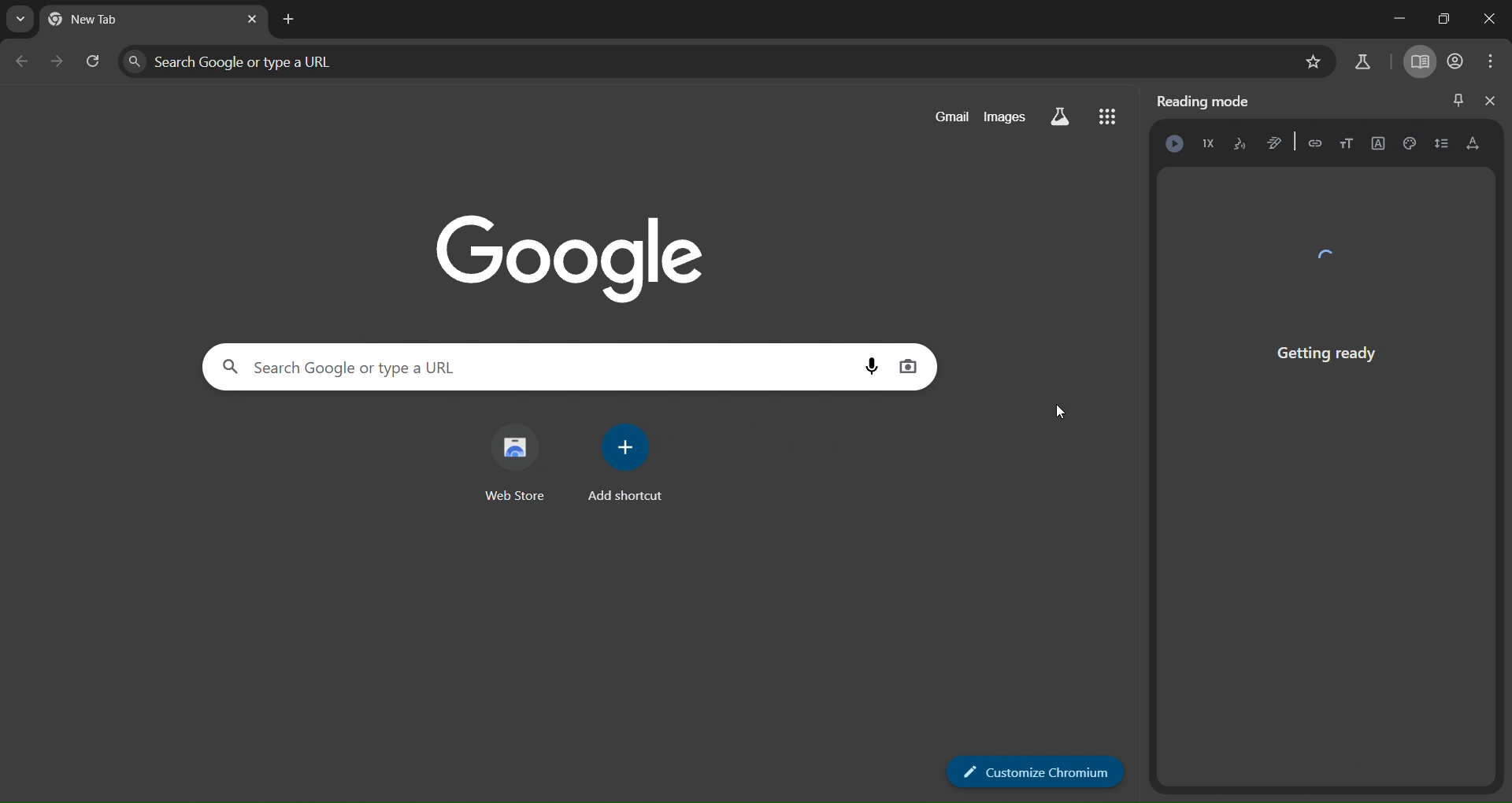 This screenshot has height=803, width=1512. What do you see at coordinates (1445, 18) in the screenshot?
I see `maximize` at bounding box center [1445, 18].